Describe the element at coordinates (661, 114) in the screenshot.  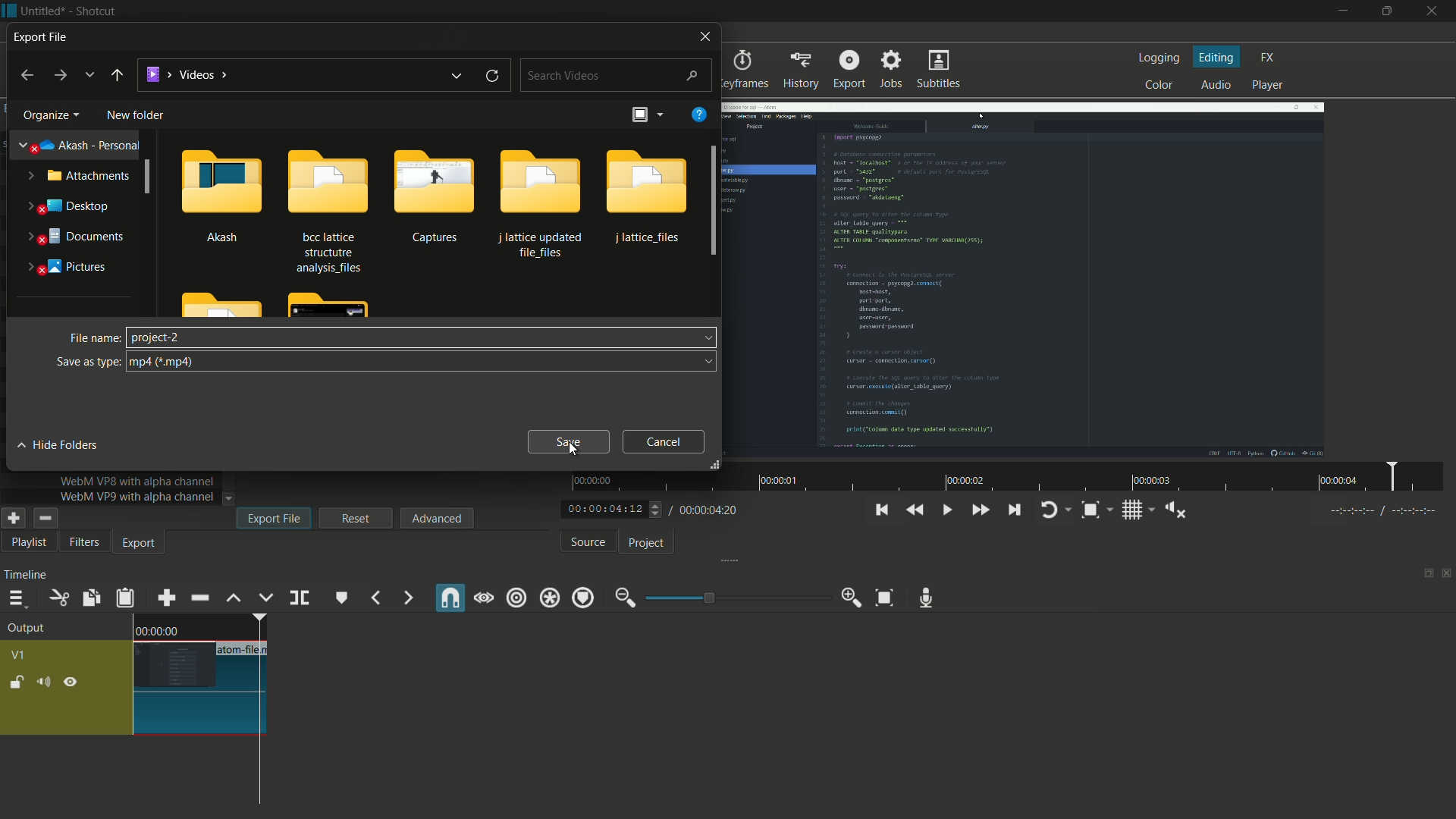
I see `more options` at that location.